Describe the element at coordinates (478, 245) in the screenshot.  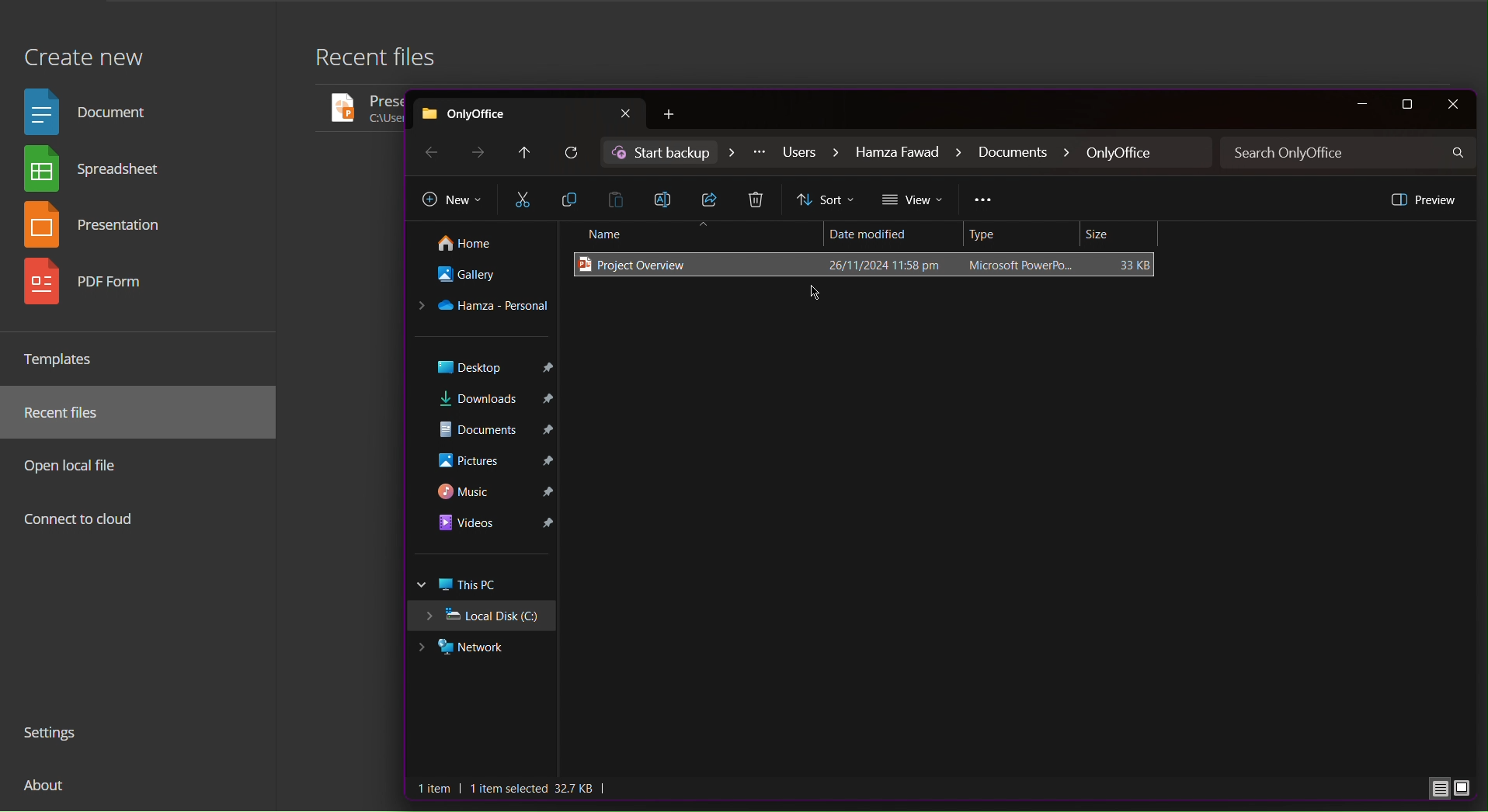
I see `Home` at that location.